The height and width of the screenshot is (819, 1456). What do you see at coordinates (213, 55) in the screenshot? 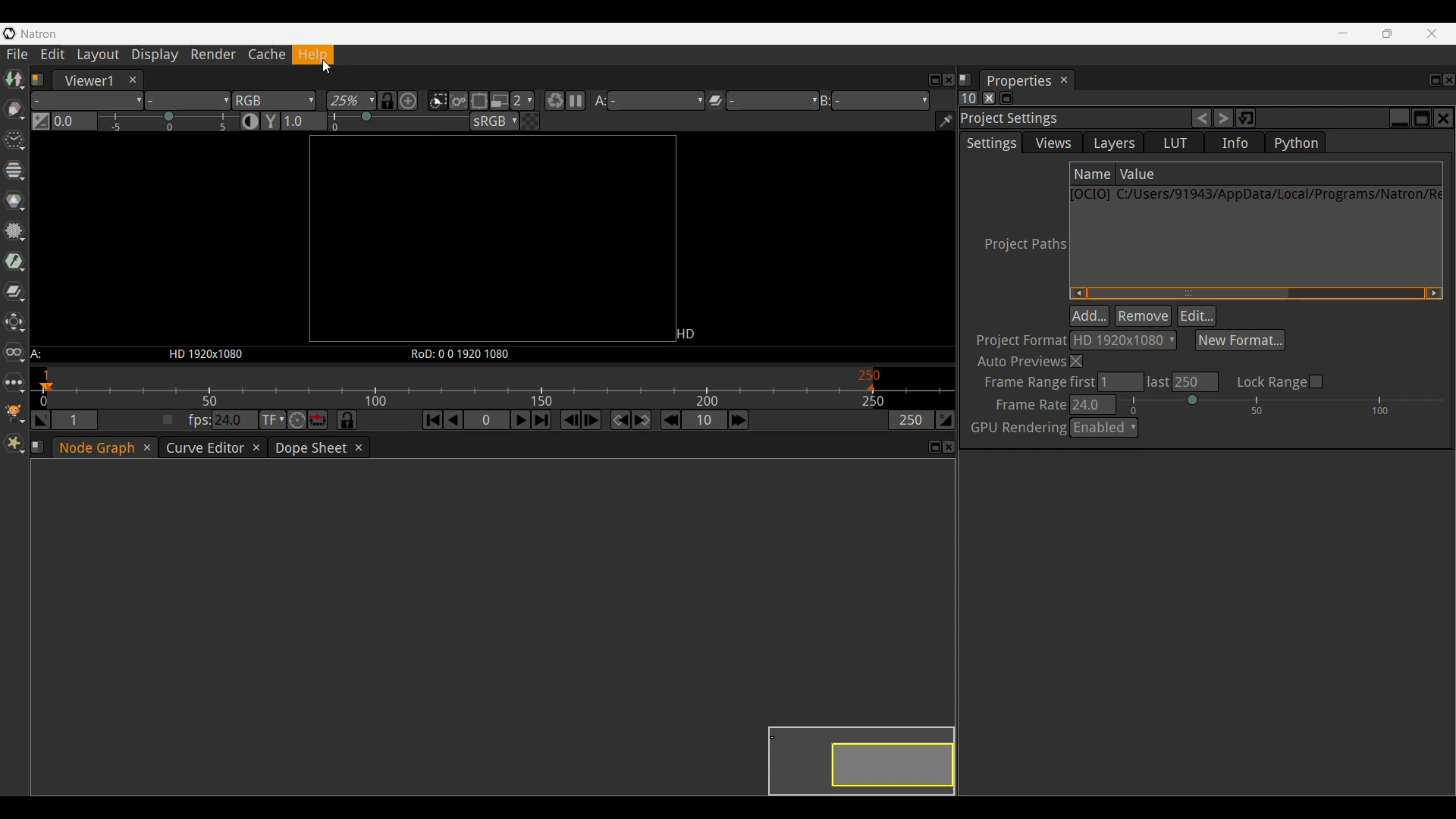
I see `Render menu` at bounding box center [213, 55].